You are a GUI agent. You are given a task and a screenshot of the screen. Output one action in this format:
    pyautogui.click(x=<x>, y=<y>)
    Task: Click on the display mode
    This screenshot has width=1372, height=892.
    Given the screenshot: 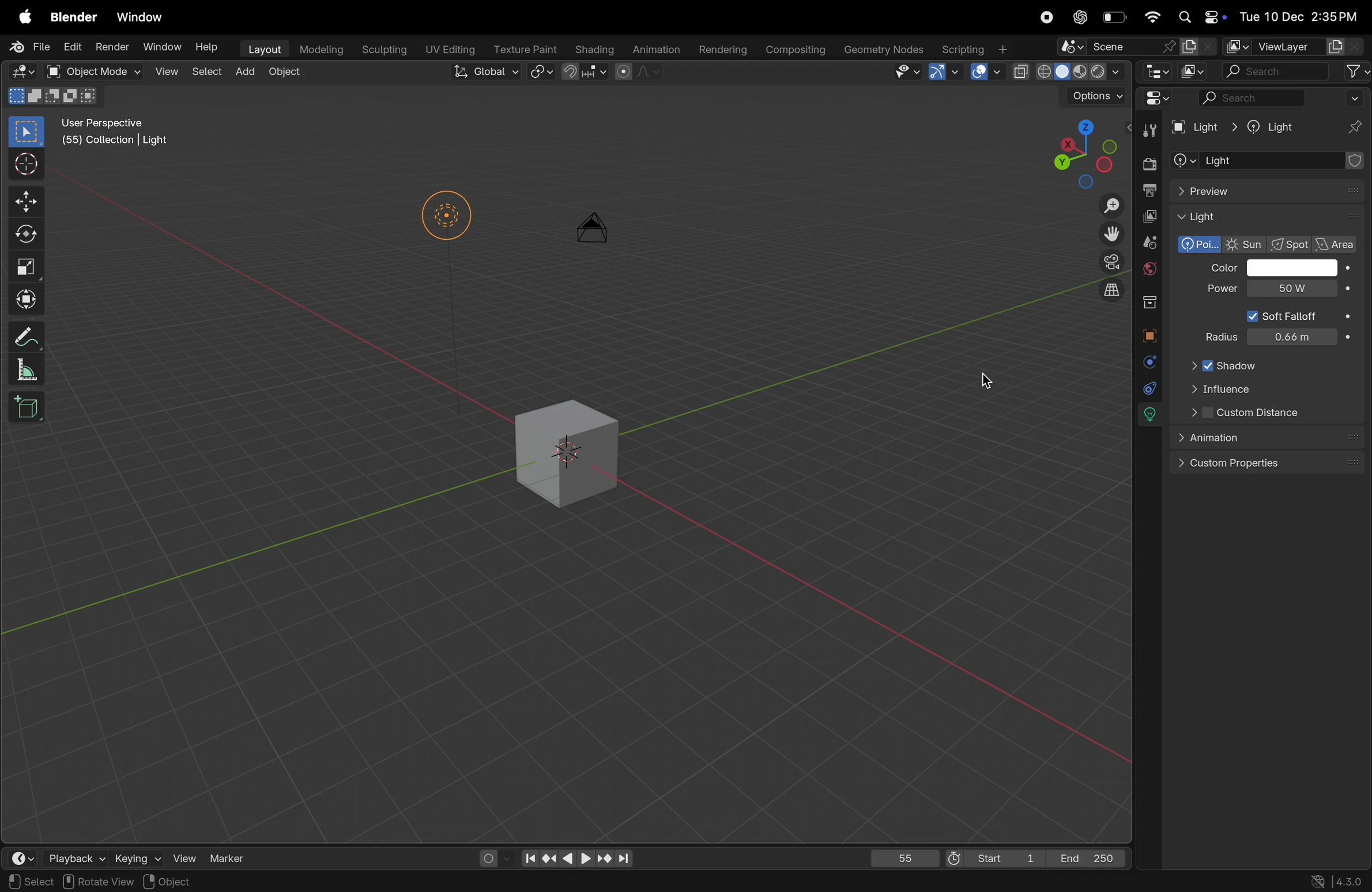 What is the action you would take?
    pyautogui.click(x=1194, y=72)
    